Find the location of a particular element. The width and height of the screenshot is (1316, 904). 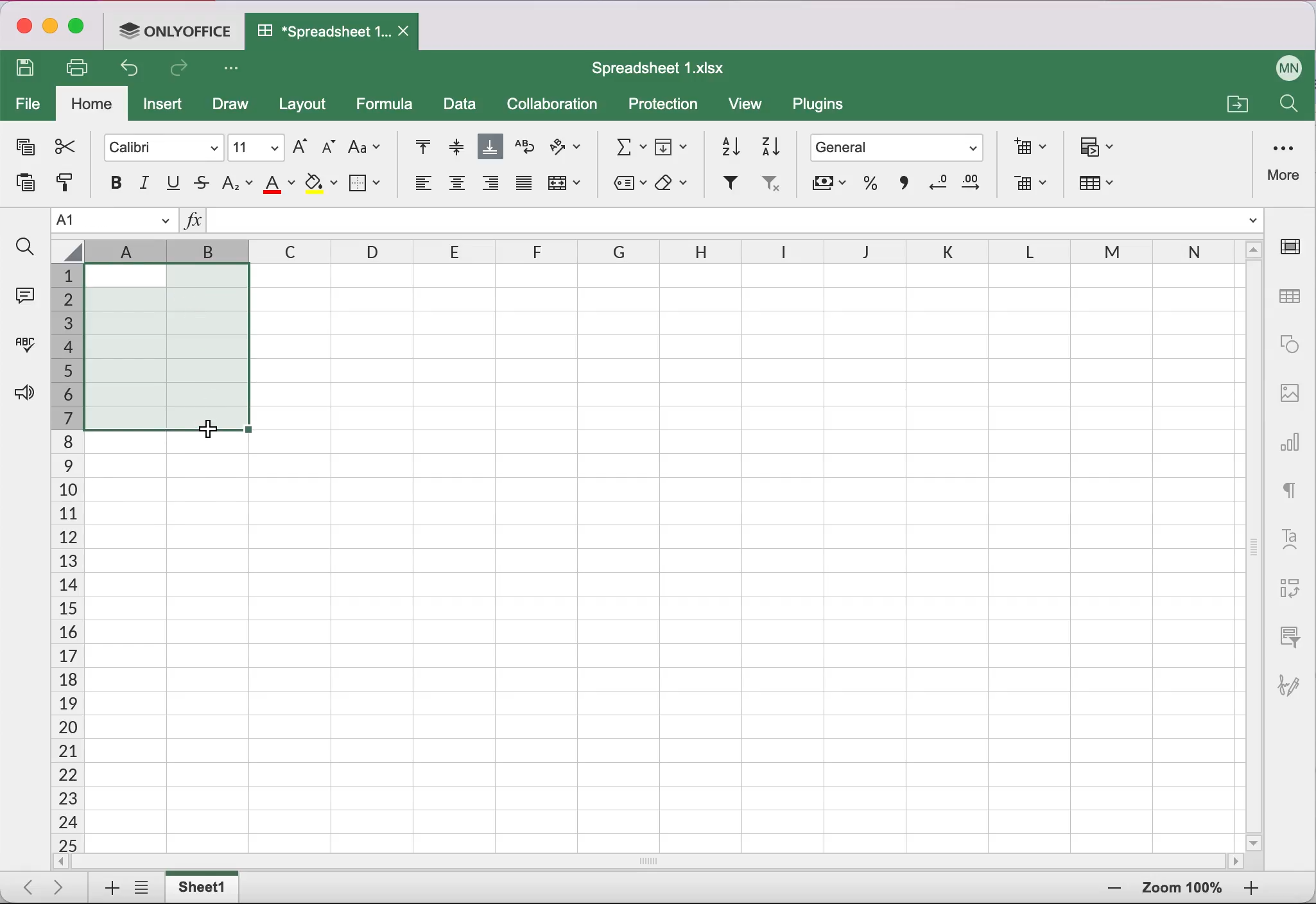

Name manager A1 is located at coordinates (114, 221).